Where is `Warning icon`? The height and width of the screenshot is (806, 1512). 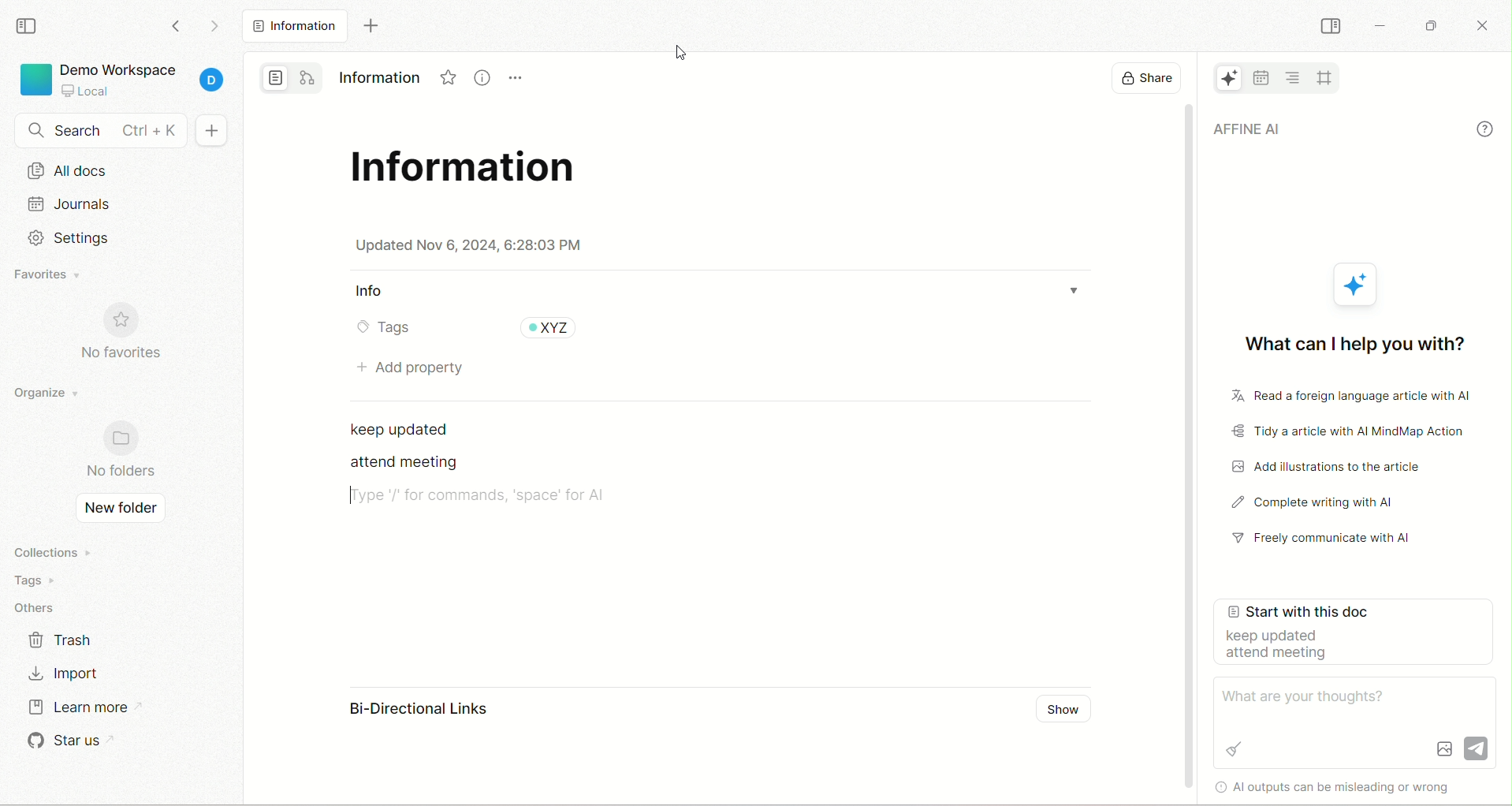 Warning icon is located at coordinates (1217, 786).